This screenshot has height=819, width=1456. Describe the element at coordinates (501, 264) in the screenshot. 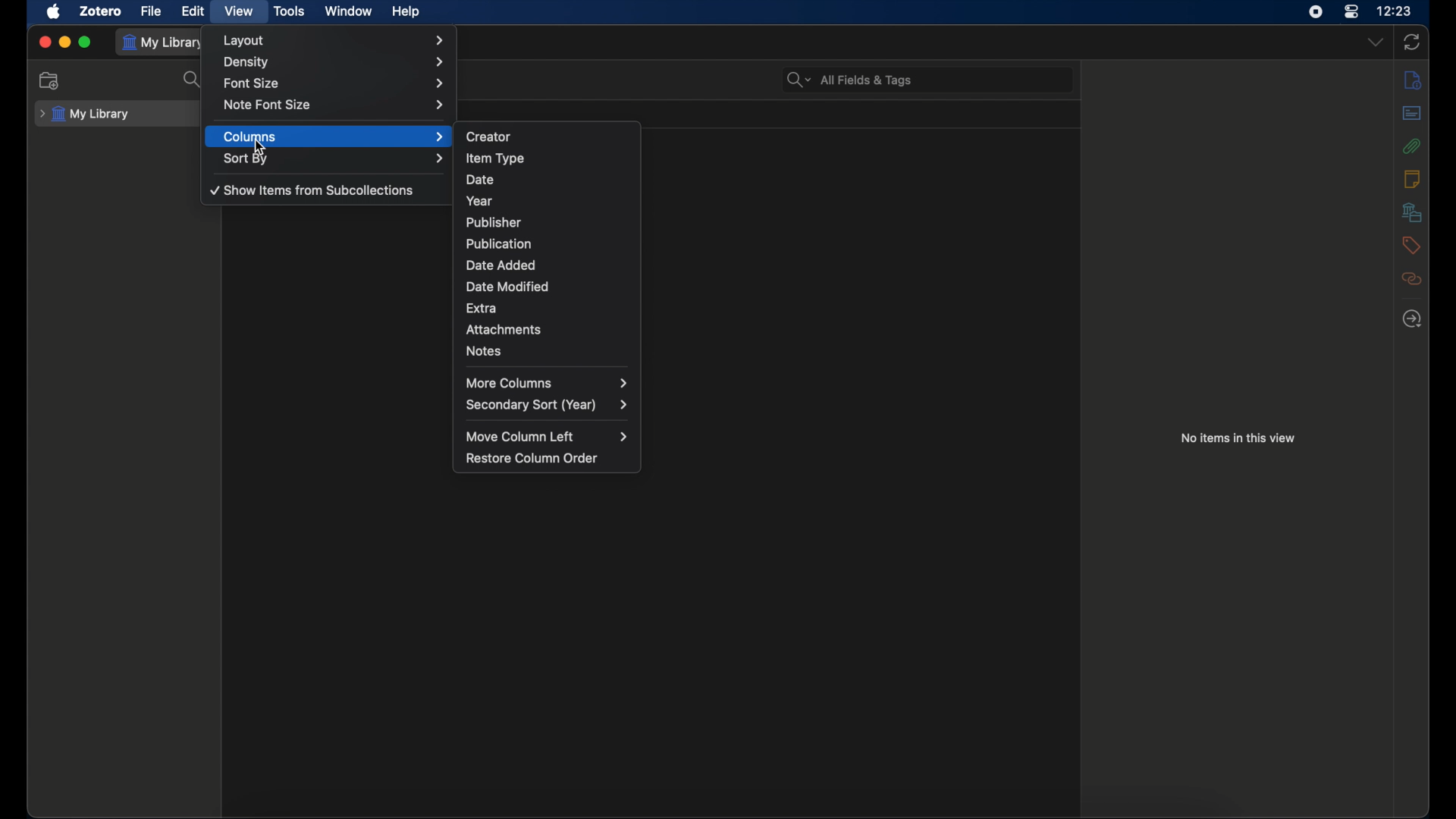

I see `date added` at that location.